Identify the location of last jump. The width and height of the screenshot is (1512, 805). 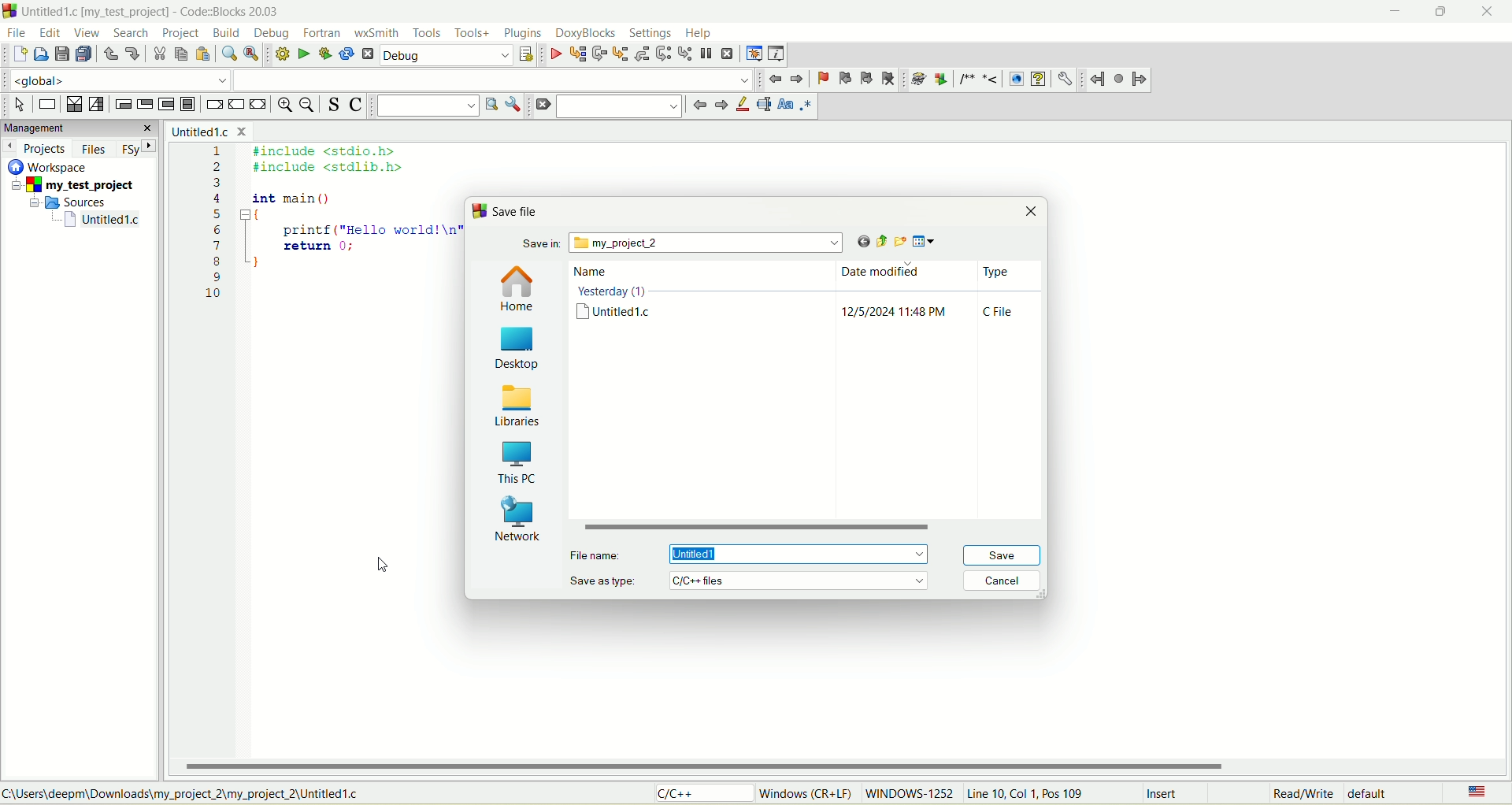
(1120, 79).